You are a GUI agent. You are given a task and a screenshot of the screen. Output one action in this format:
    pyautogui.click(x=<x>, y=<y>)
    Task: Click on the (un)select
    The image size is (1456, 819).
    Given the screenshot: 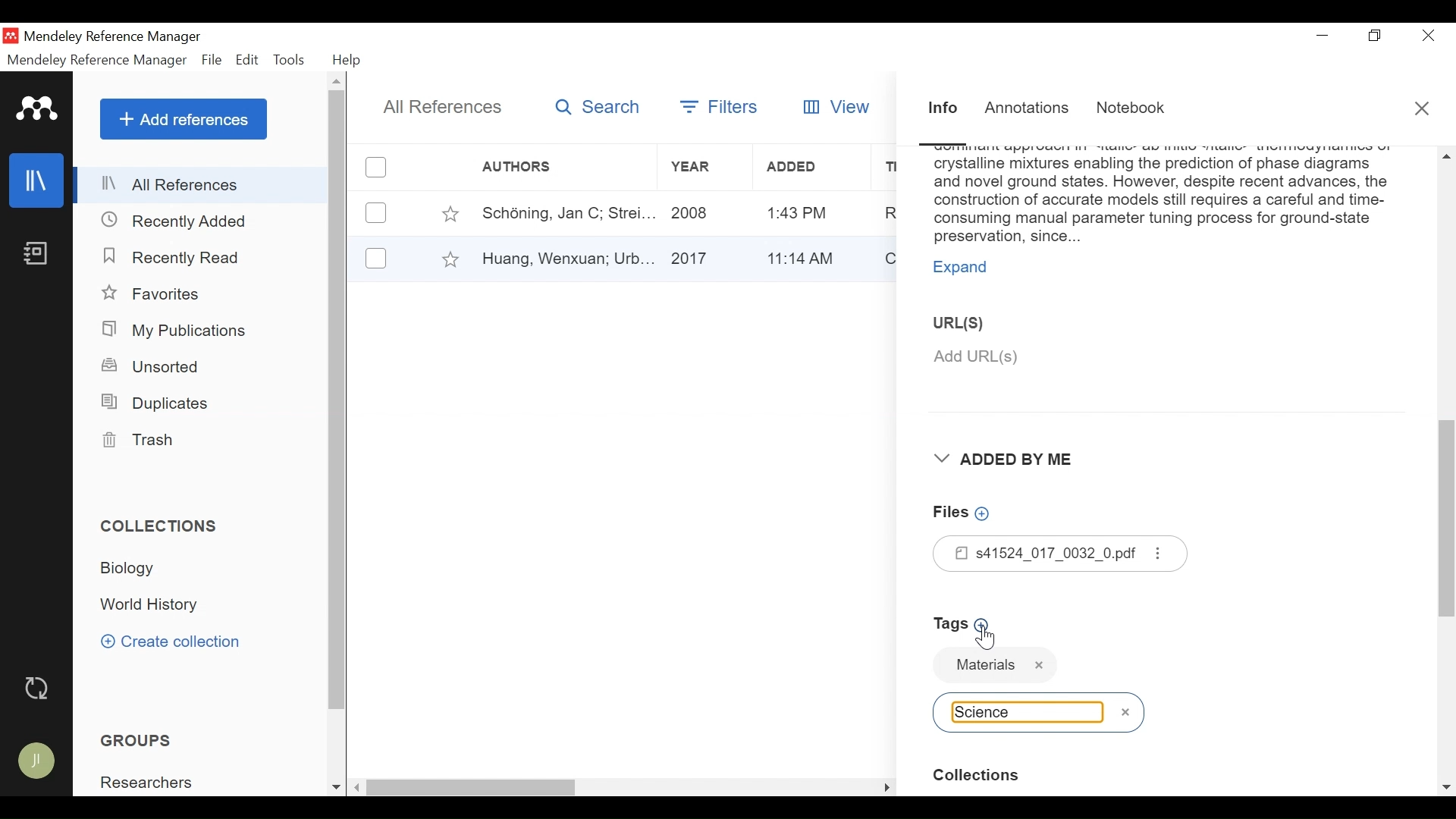 What is the action you would take?
    pyautogui.click(x=376, y=258)
    